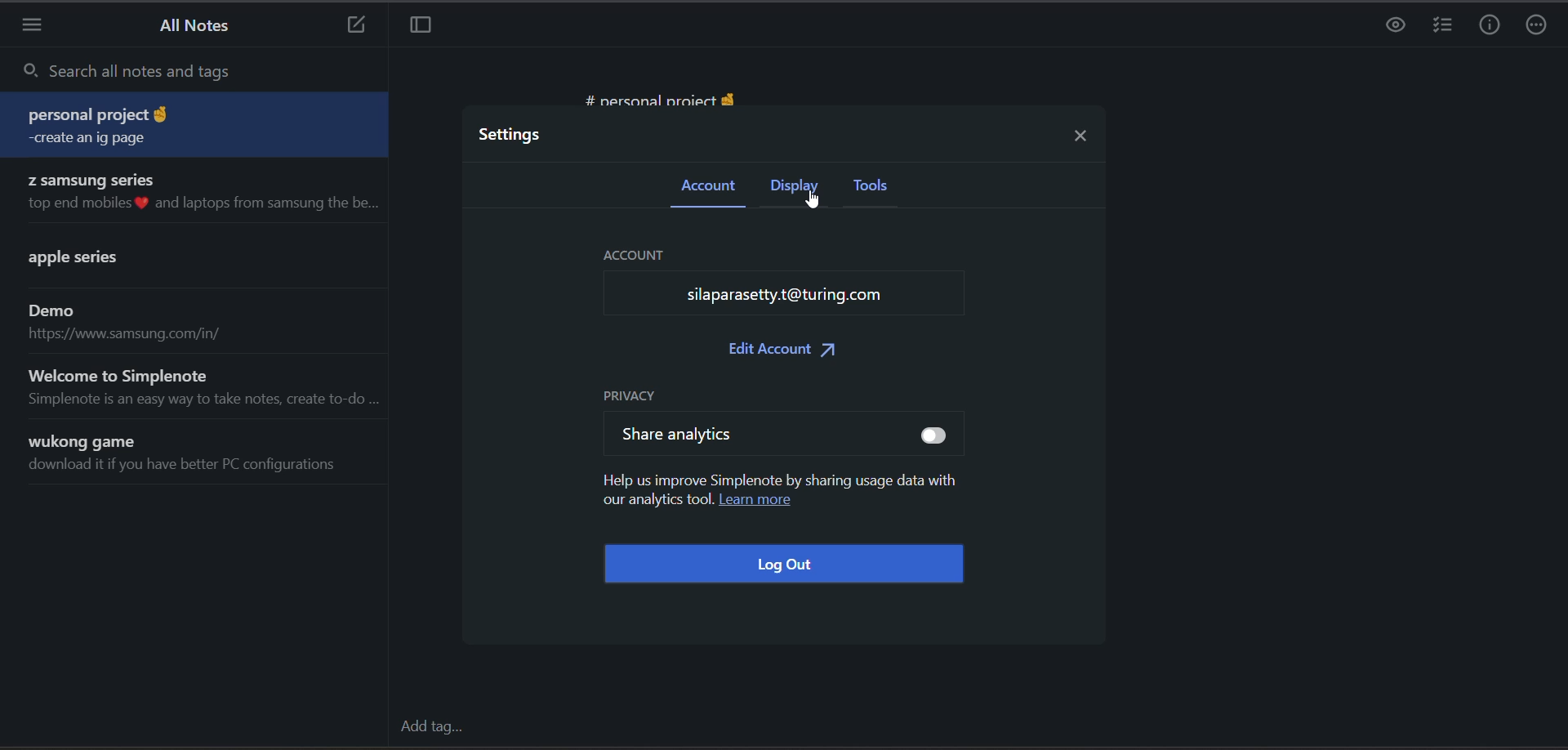 This screenshot has height=750, width=1568. What do you see at coordinates (353, 25) in the screenshot?
I see `new note` at bounding box center [353, 25].